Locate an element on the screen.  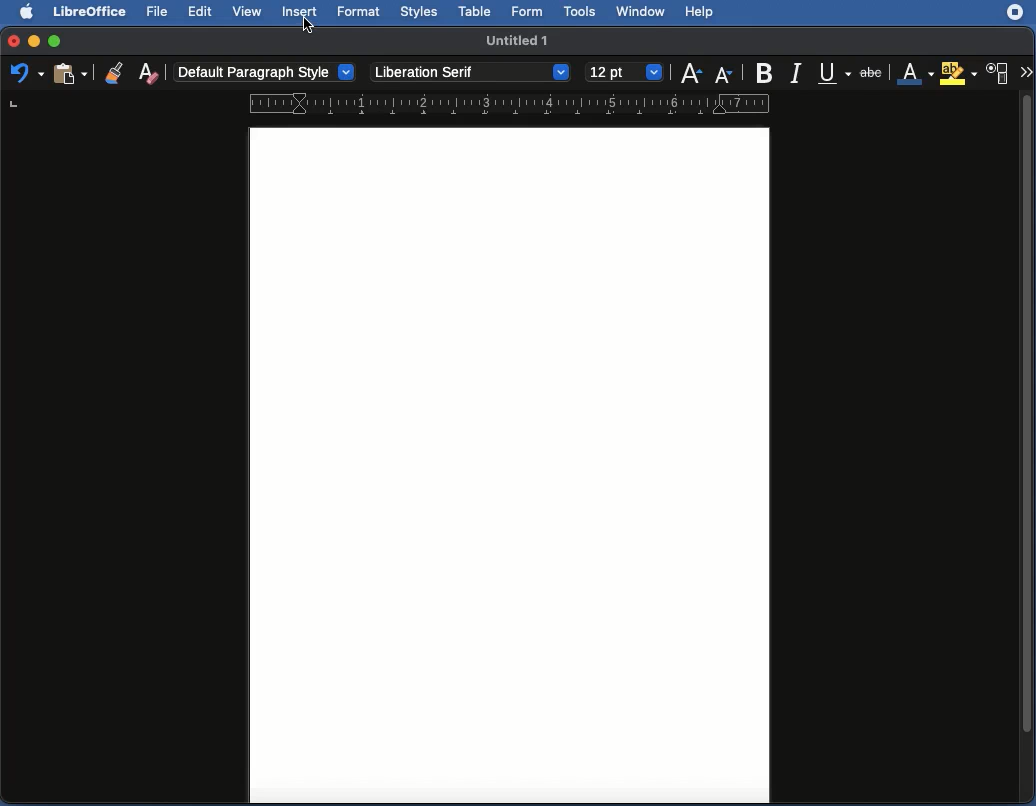
Help is located at coordinates (700, 11).